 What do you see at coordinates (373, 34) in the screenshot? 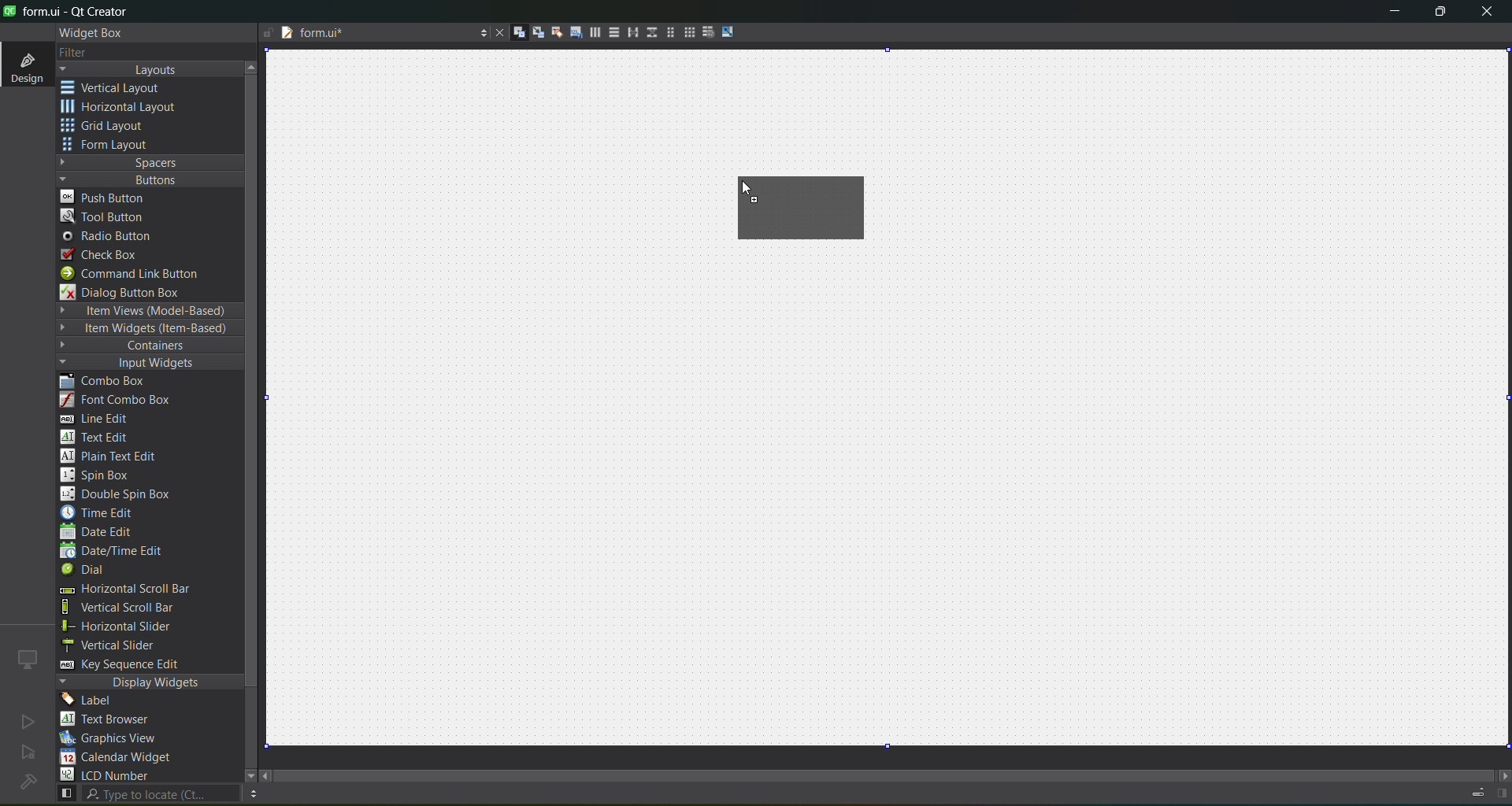
I see `tab name` at bounding box center [373, 34].